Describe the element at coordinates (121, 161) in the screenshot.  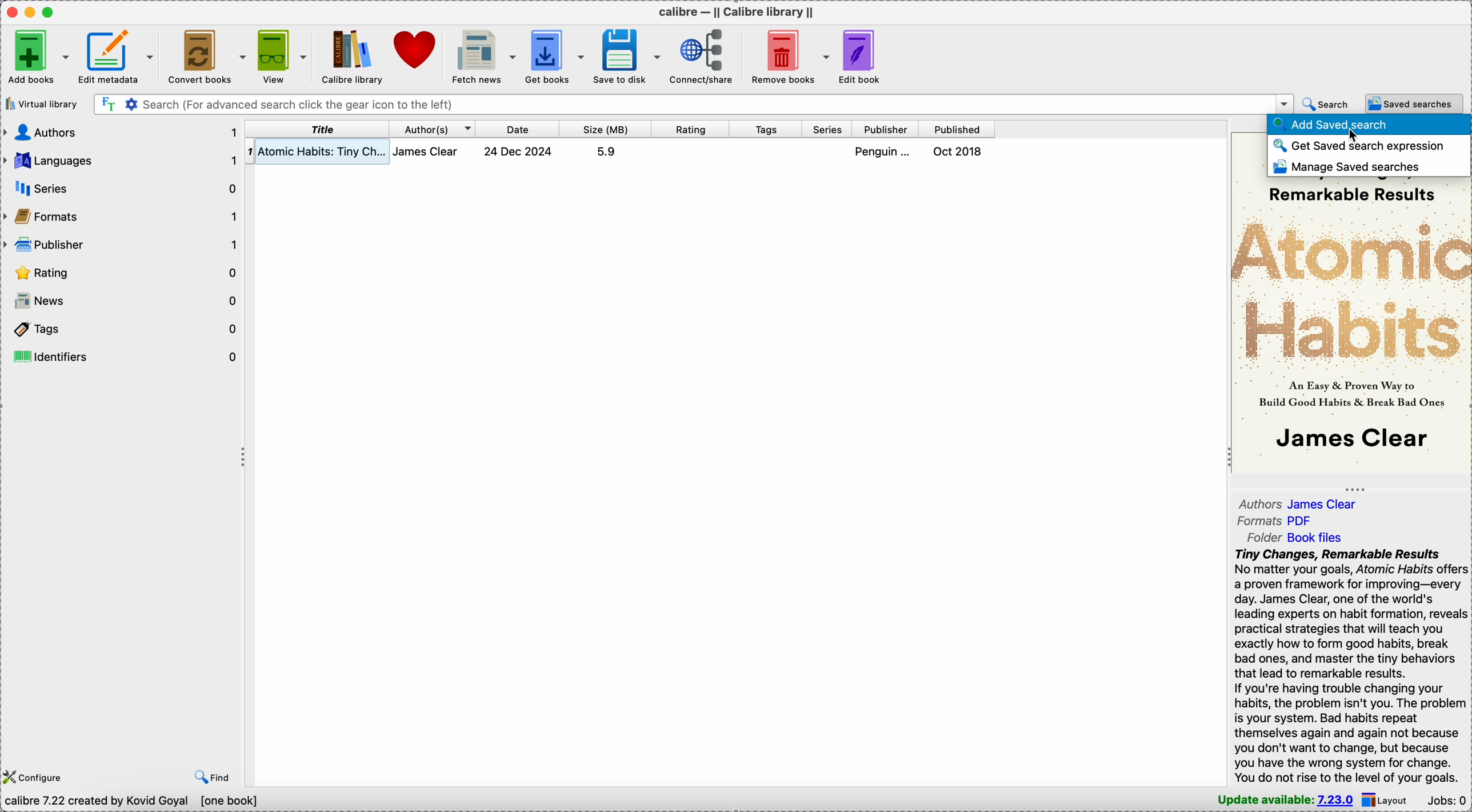
I see `languages` at that location.